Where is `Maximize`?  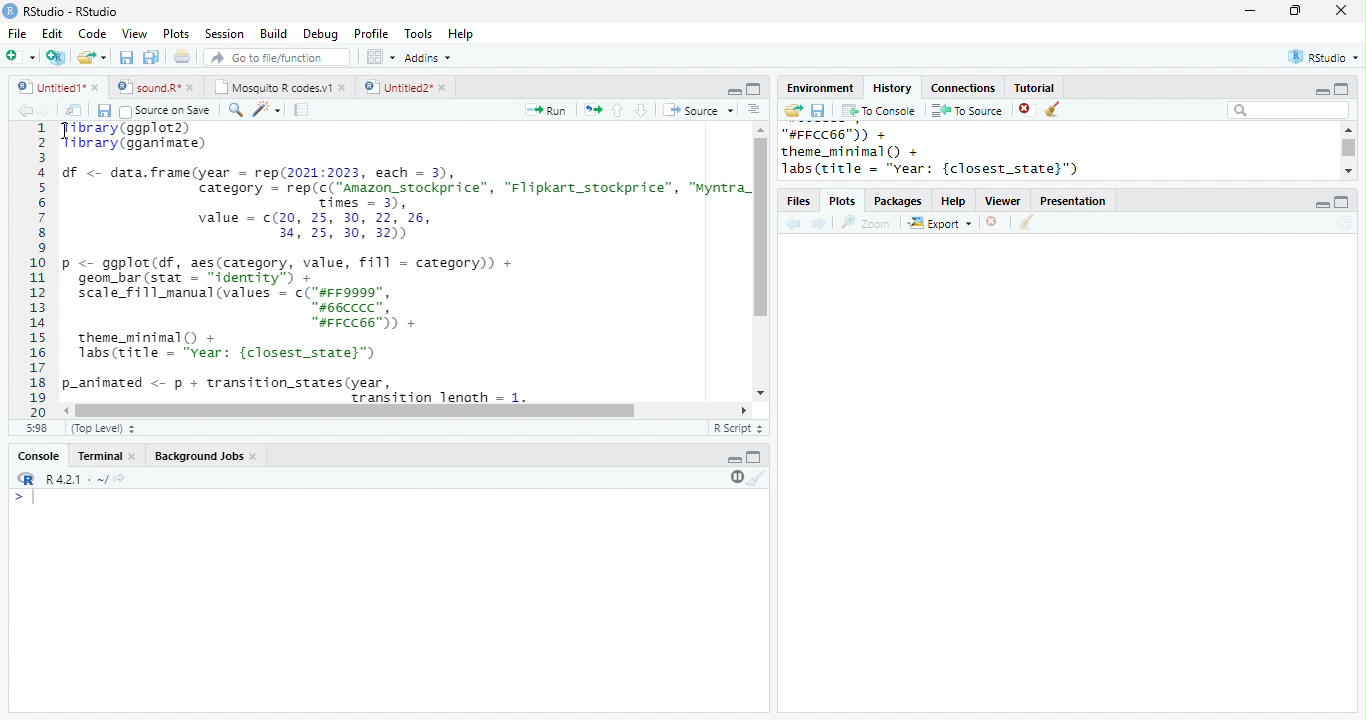 Maximize is located at coordinates (754, 89).